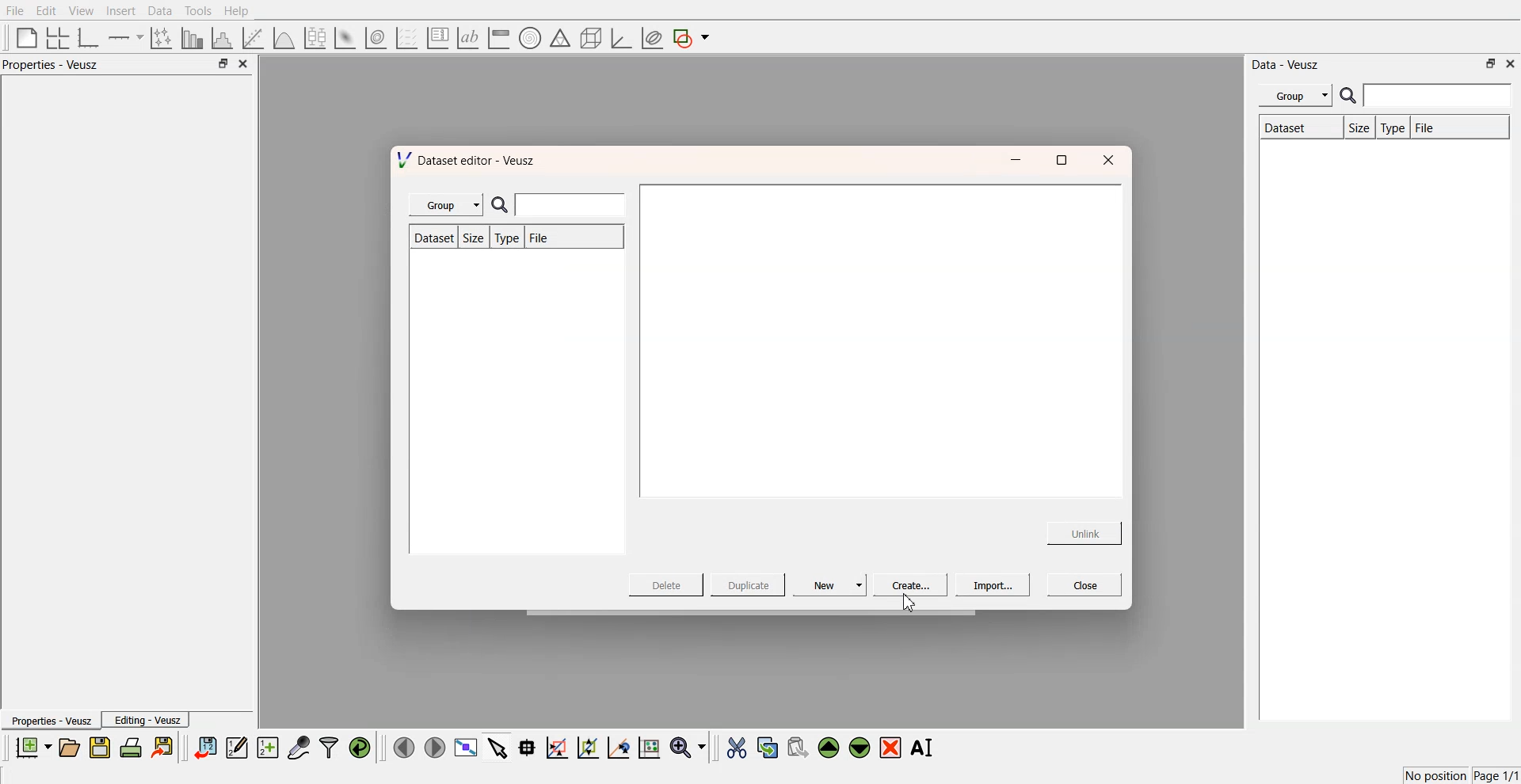 Image resolution: width=1521 pixels, height=784 pixels. I want to click on Size, so click(474, 238).